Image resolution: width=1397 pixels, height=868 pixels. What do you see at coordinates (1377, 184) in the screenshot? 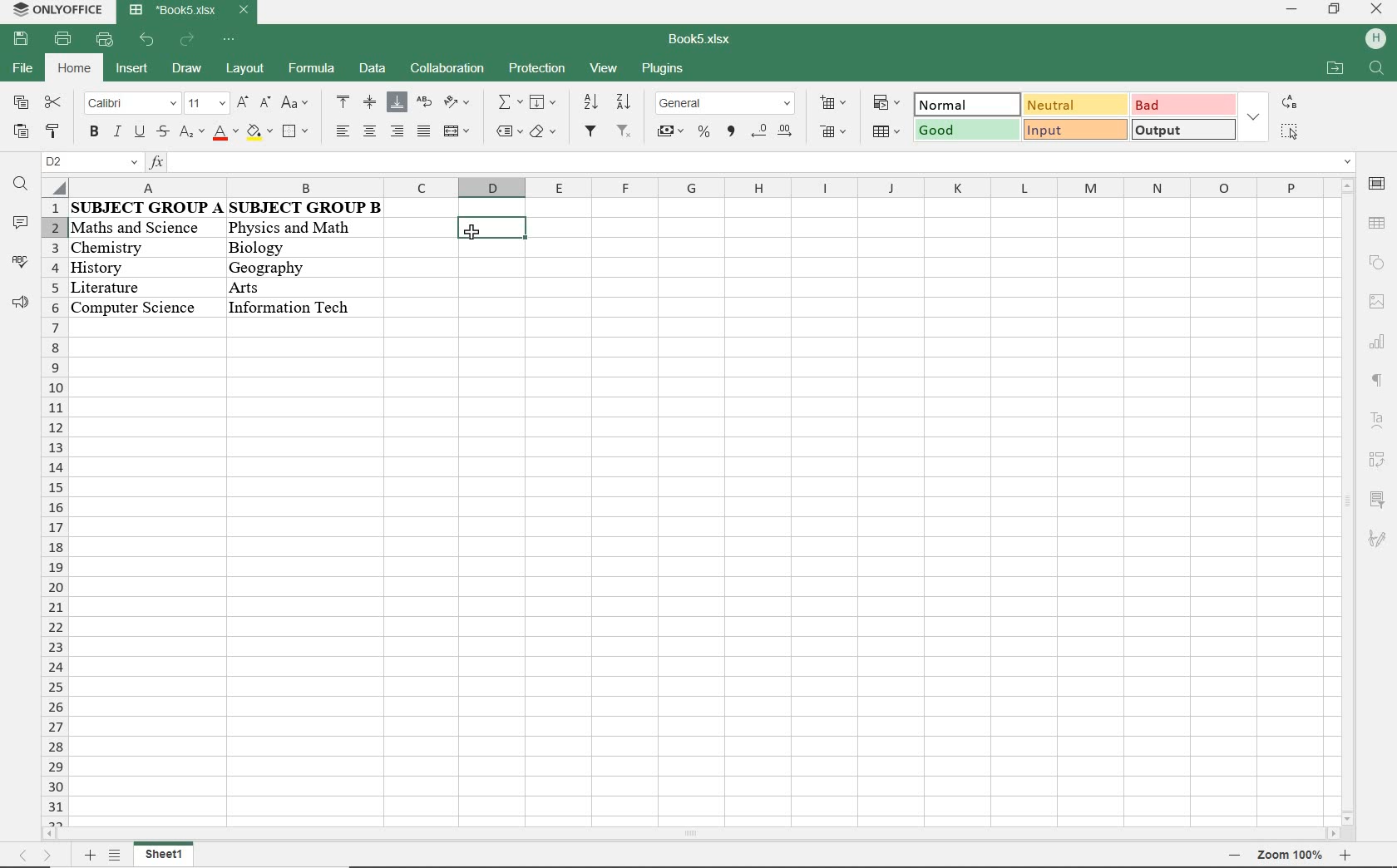
I see `cell settings` at bounding box center [1377, 184].